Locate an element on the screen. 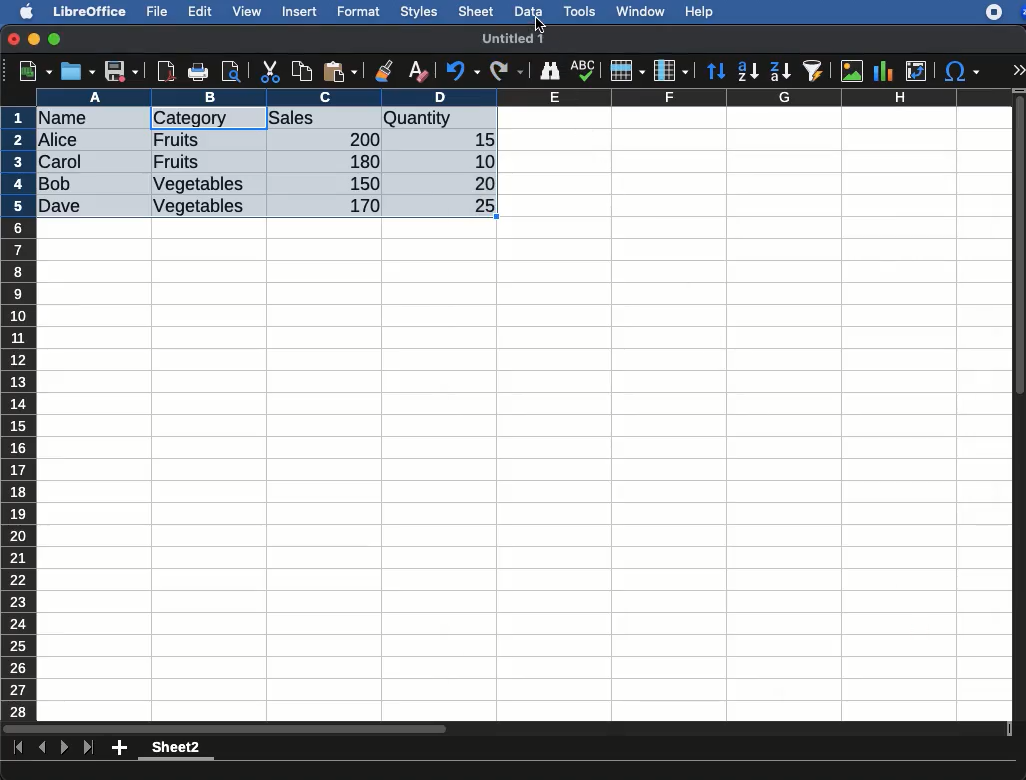  clear formatting is located at coordinates (417, 72).